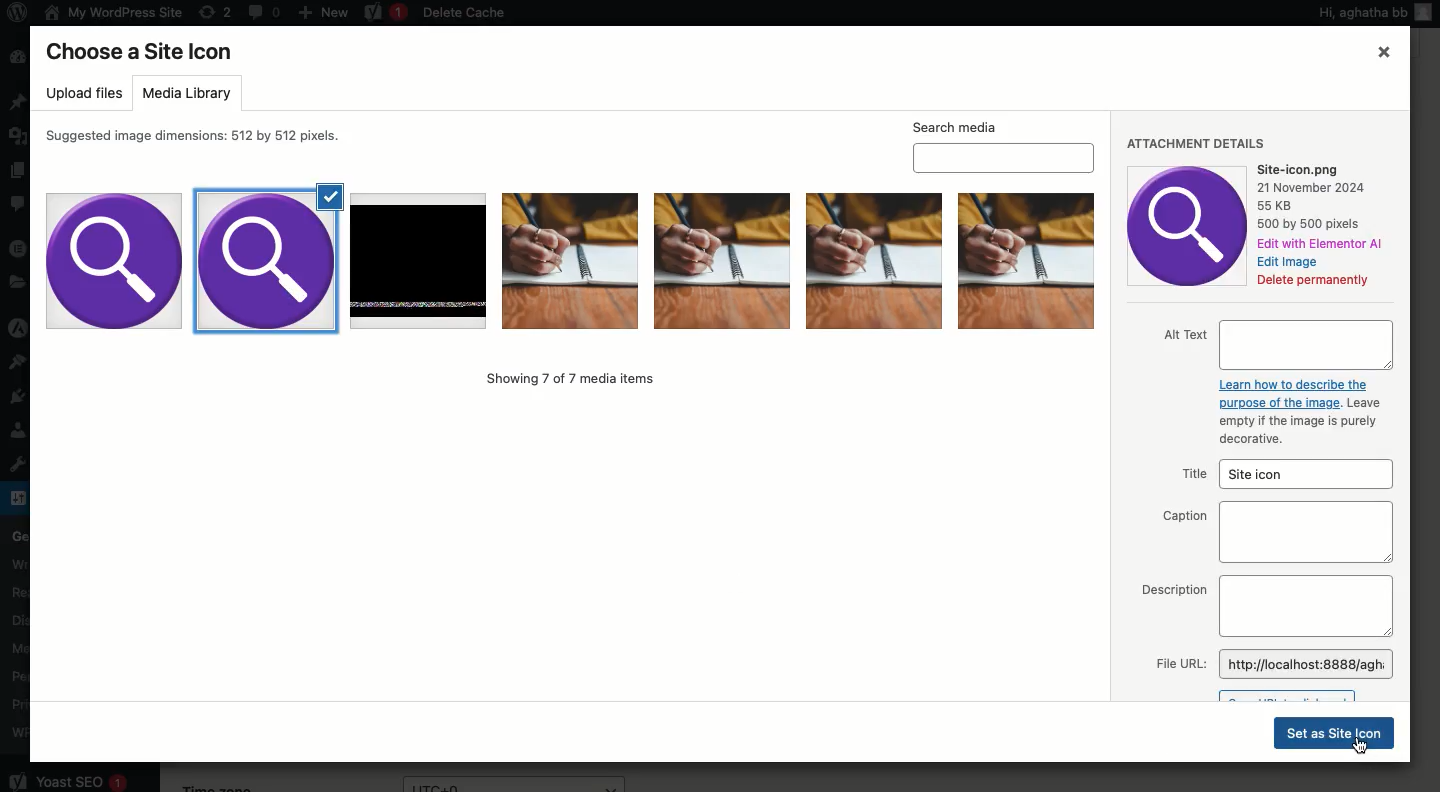  I want to click on user icon, so click(1427, 20).